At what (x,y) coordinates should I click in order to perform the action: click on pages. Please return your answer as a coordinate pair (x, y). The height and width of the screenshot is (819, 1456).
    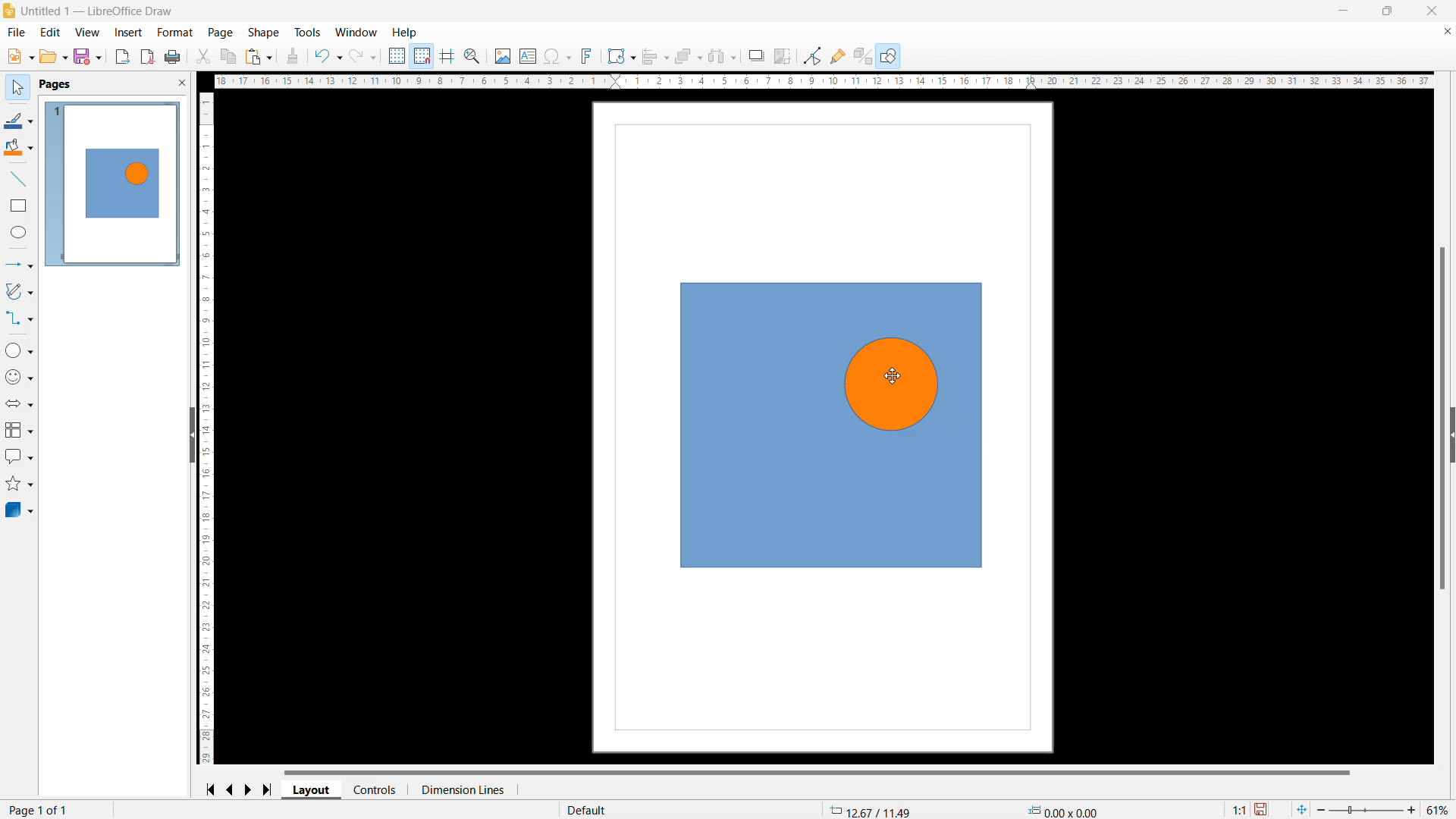
    Looking at the image, I should click on (56, 84).